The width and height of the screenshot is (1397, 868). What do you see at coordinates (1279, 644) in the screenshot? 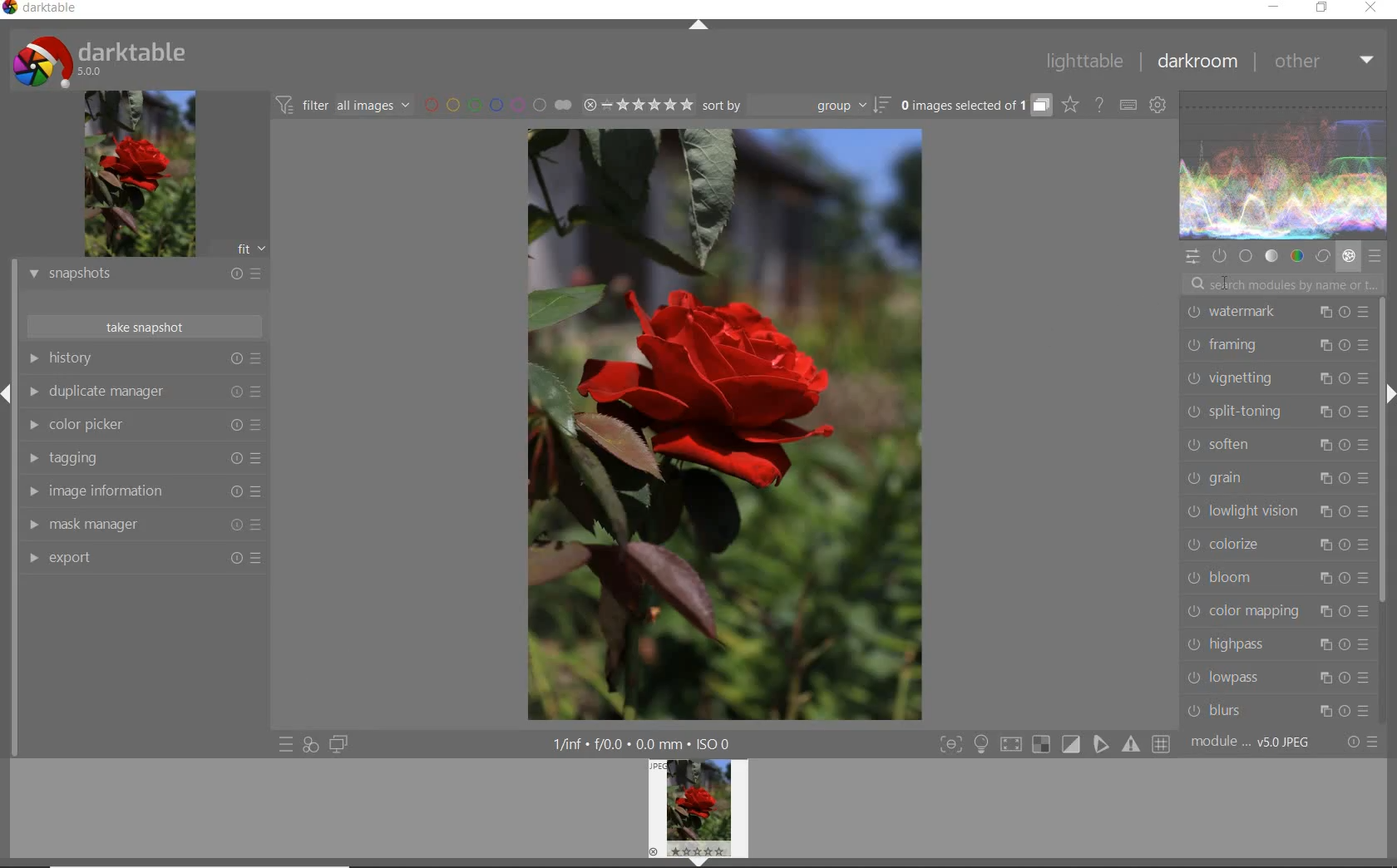
I see `highpass` at bounding box center [1279, 644].